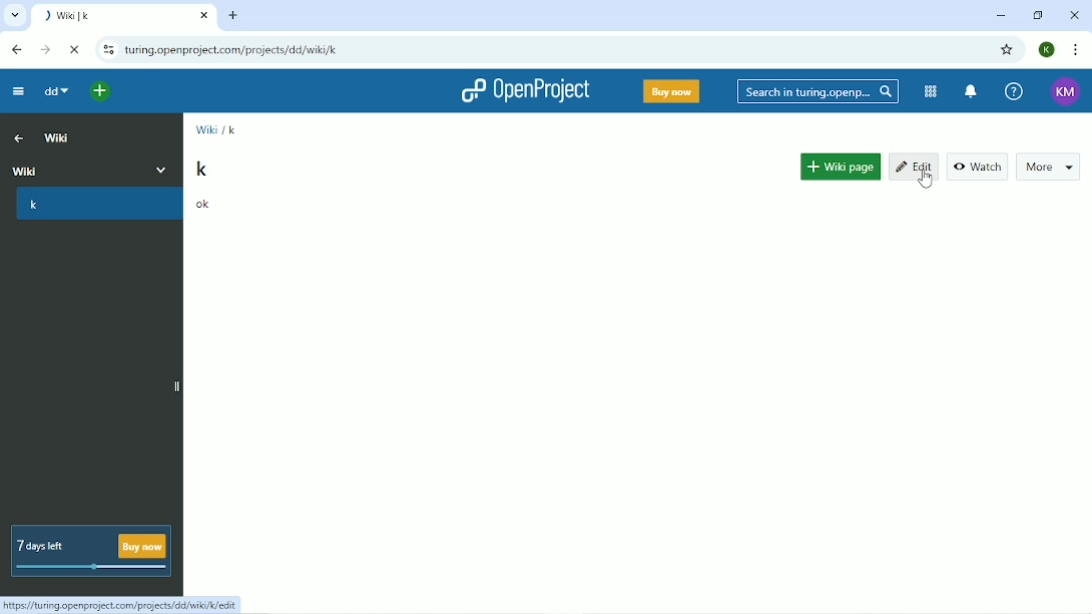 The width and height of the screenshot is (1092, 614). What do you see at coordinates (55, 92) in the screenshot?
I see `dd` at bounding box center [55, 92].